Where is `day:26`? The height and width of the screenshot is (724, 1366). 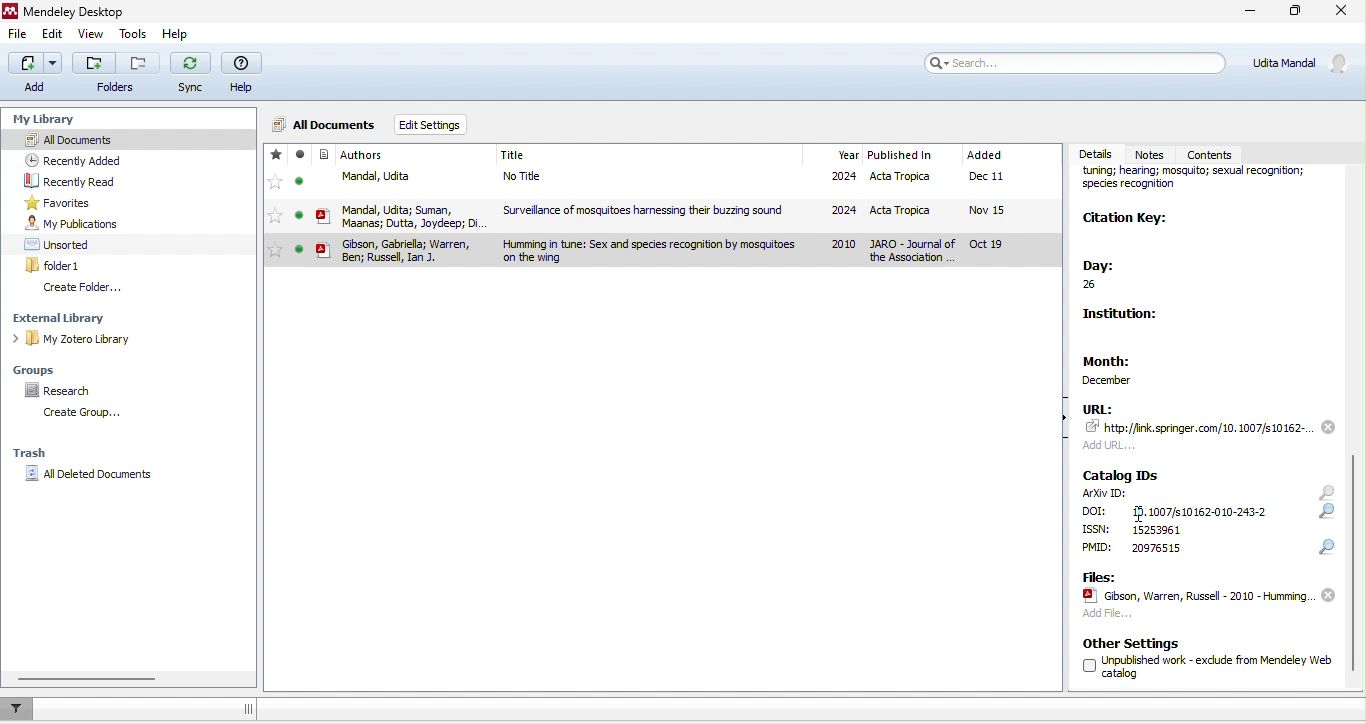 day:26 is located at coordinates (1110, 276).